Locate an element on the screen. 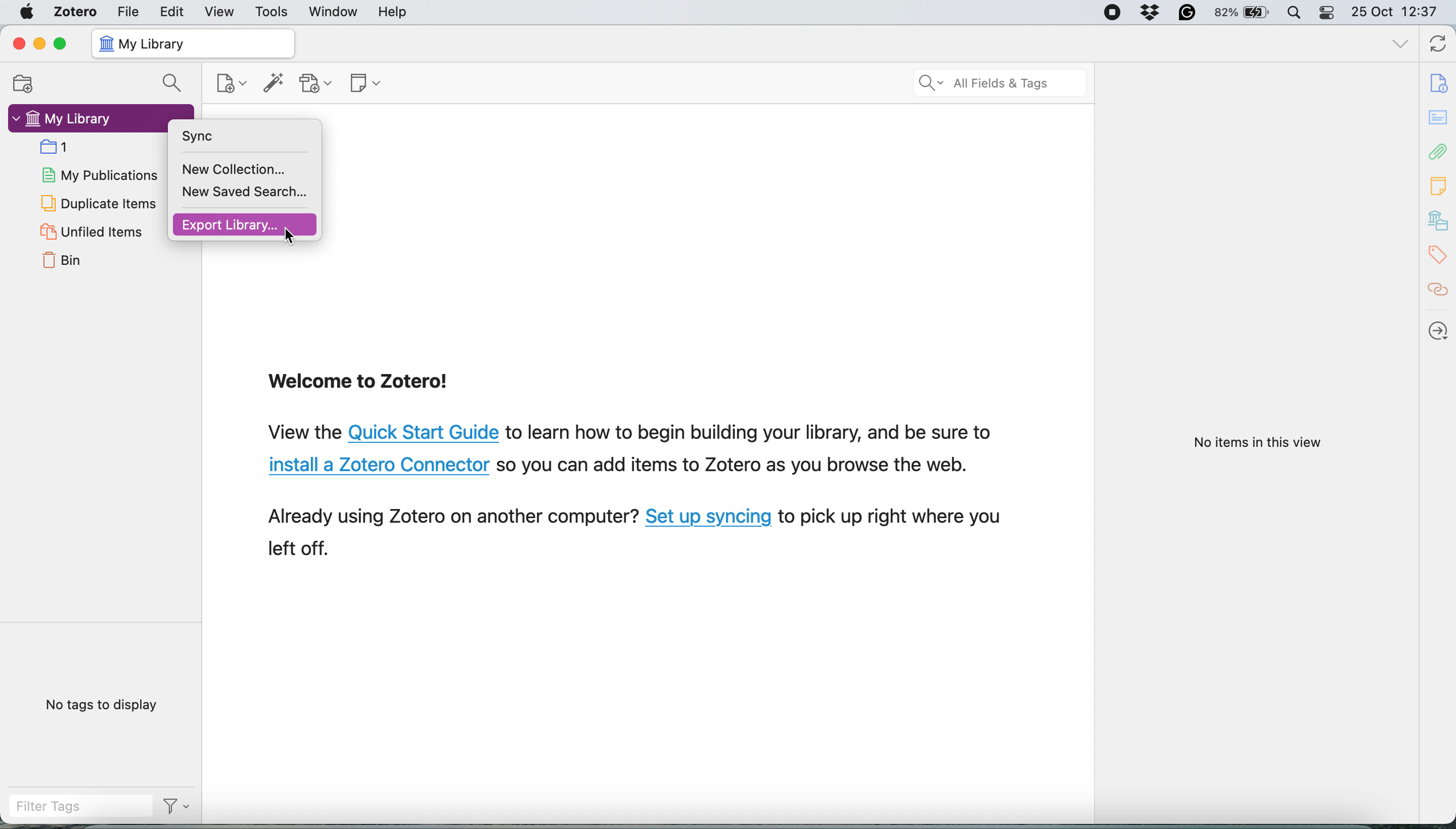 This screenshot has height=829, width=1456. Welcome to Zotero! is located at coordinates (367, 383).